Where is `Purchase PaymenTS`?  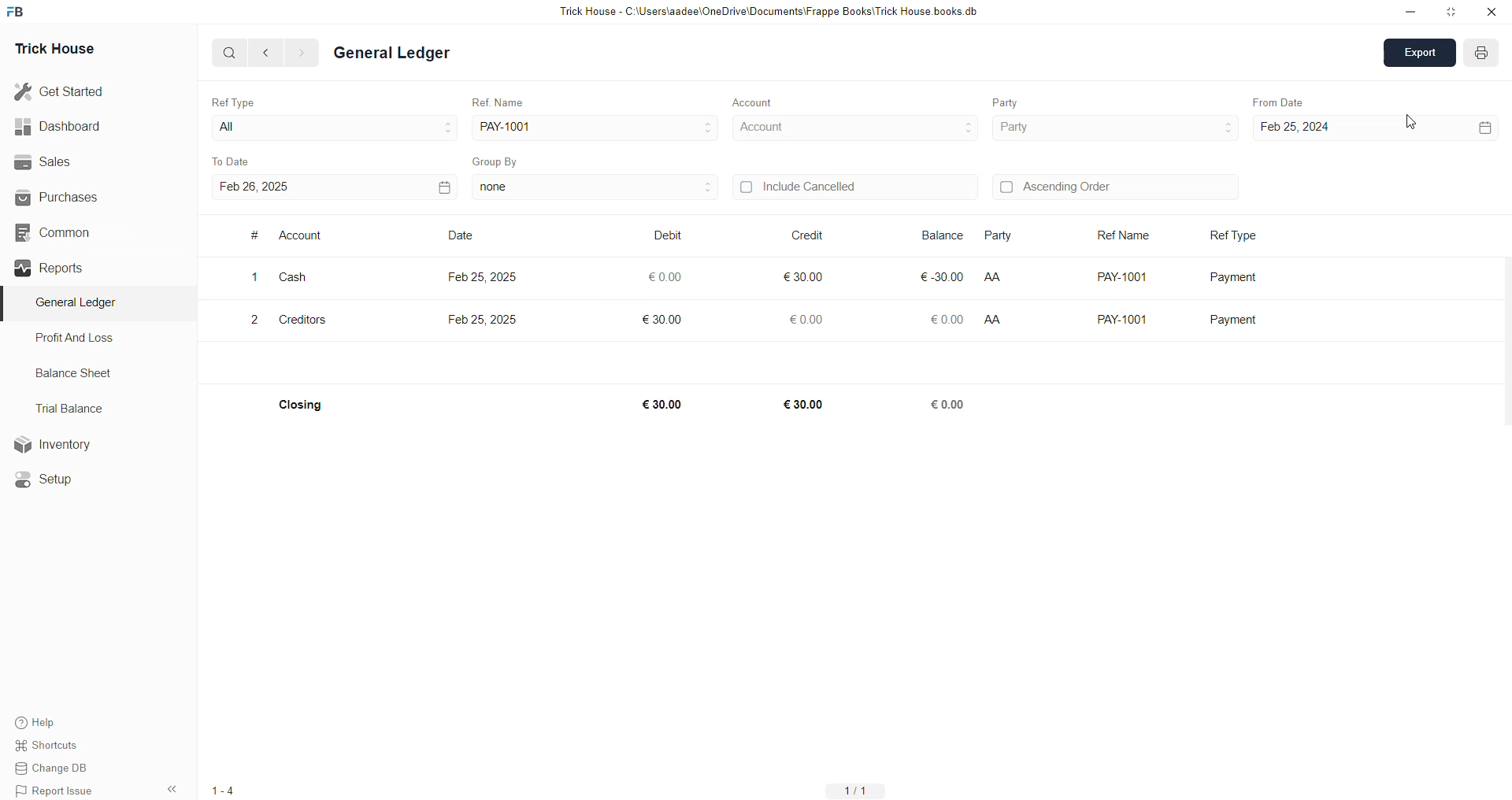 Purchase PaymenTS is located at coordinates (83, 268).